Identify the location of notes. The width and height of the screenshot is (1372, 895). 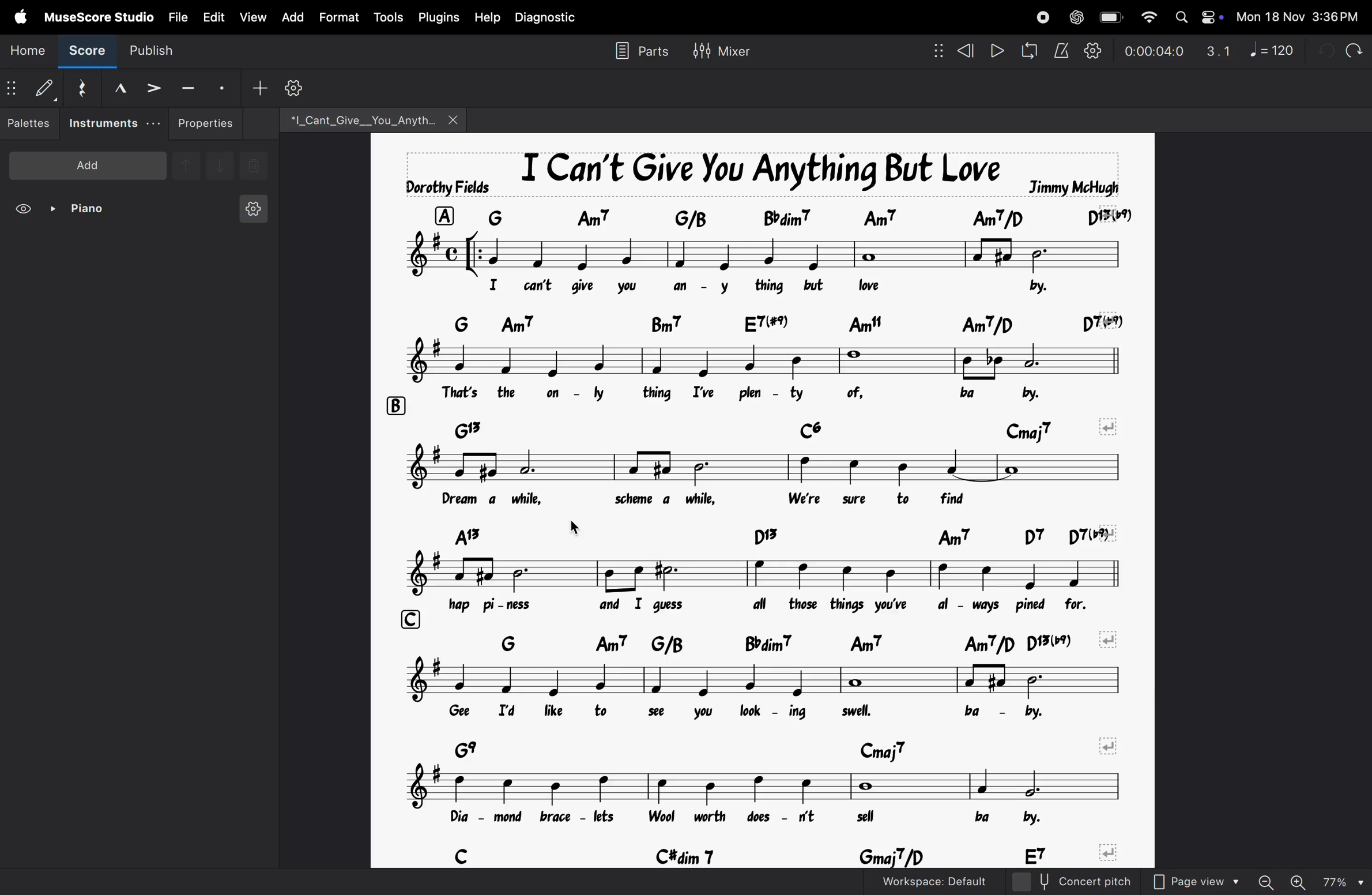
(768, 785).